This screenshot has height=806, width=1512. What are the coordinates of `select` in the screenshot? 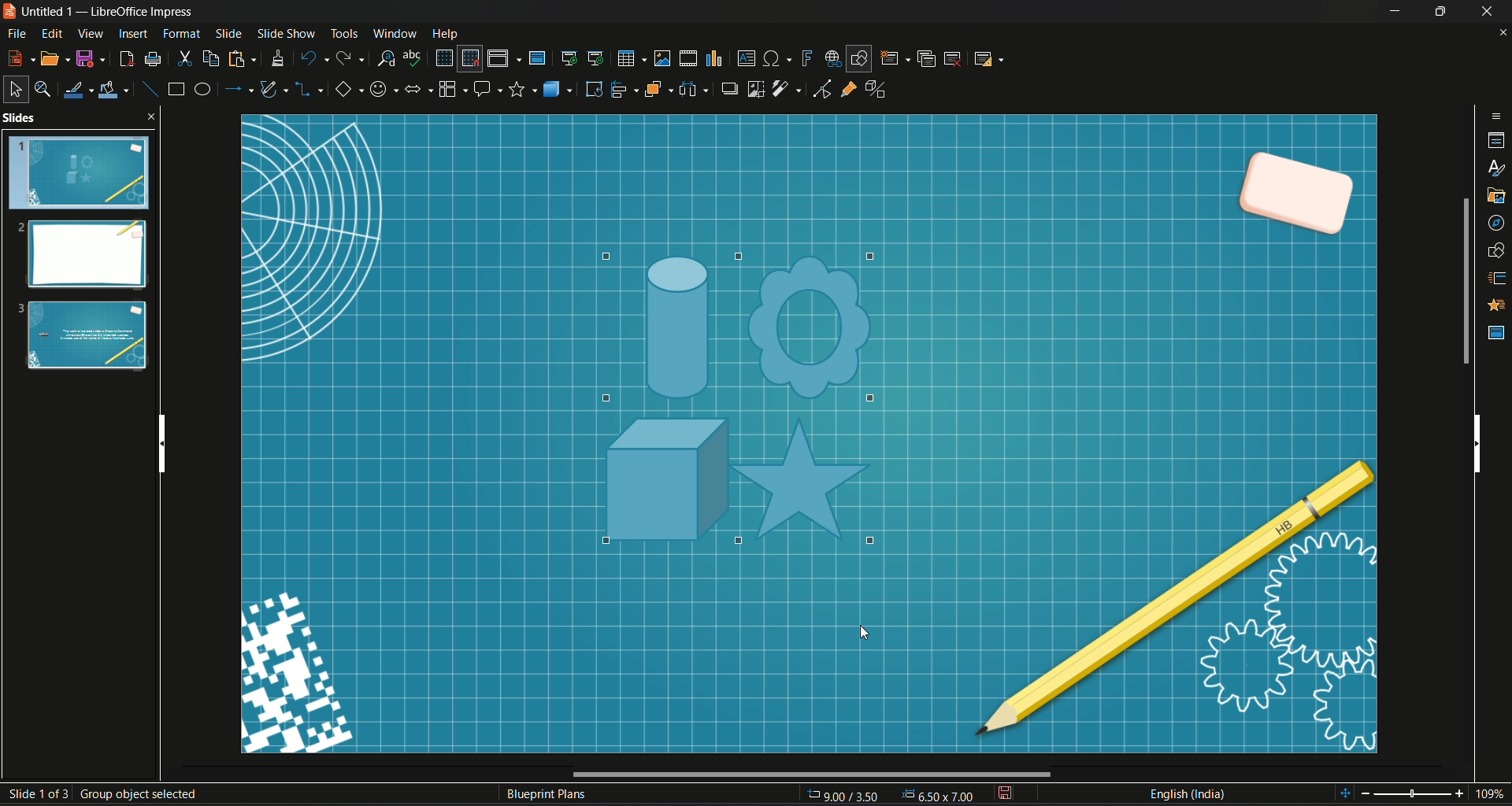 It's located at (13, 89).